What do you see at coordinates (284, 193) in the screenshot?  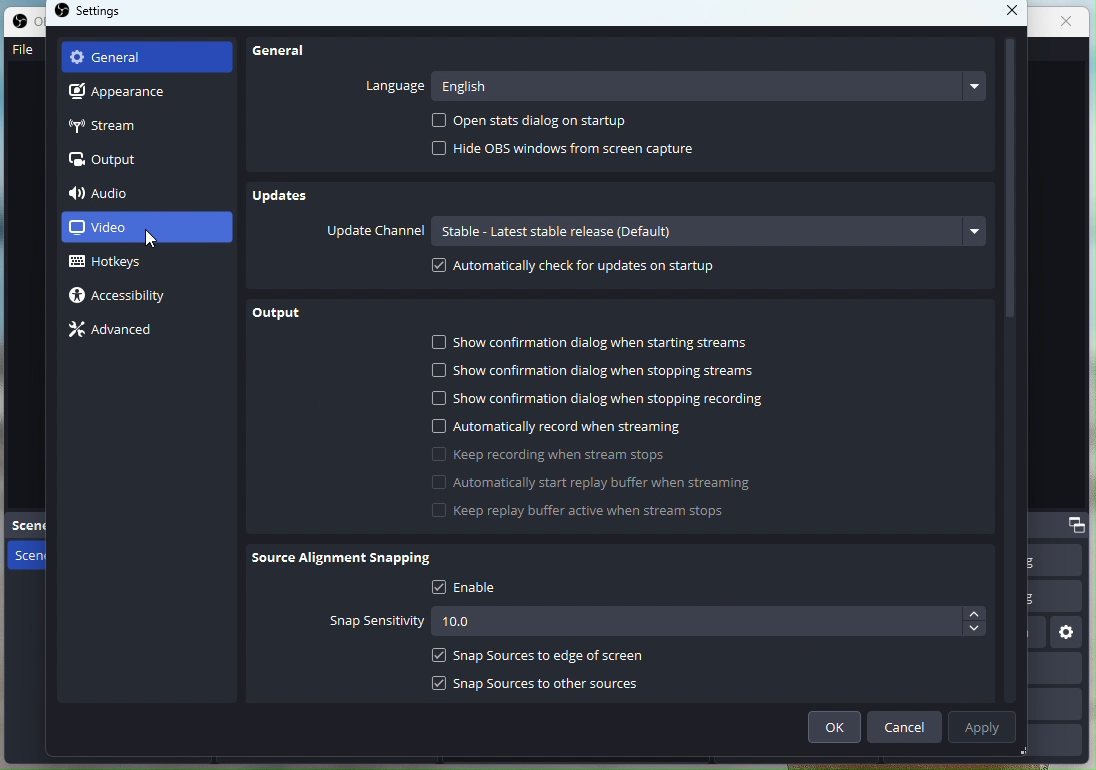 I see `Updates` at bounding box center [284, 193].